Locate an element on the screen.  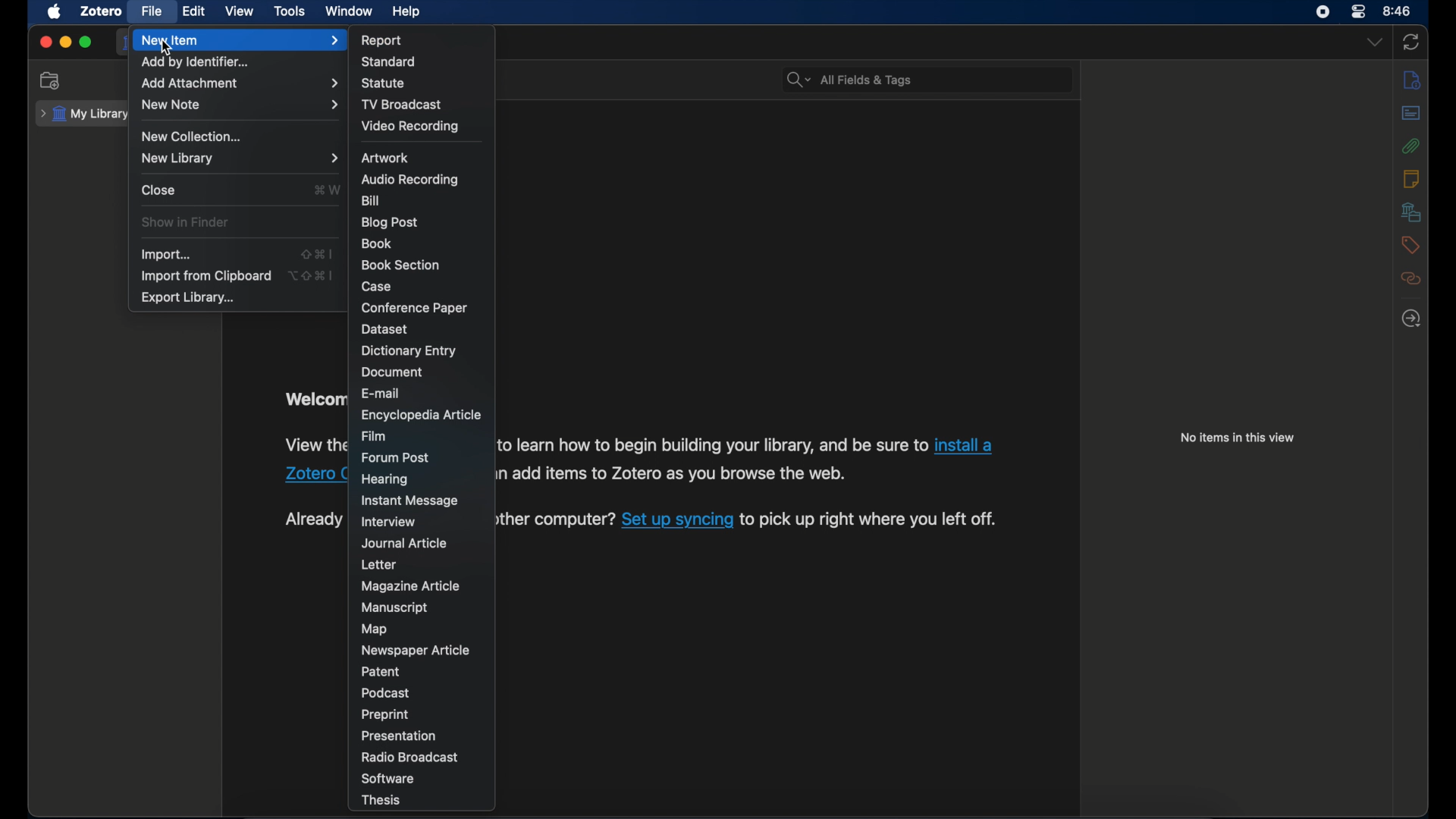
podcast is located at coordinates (386, 693).